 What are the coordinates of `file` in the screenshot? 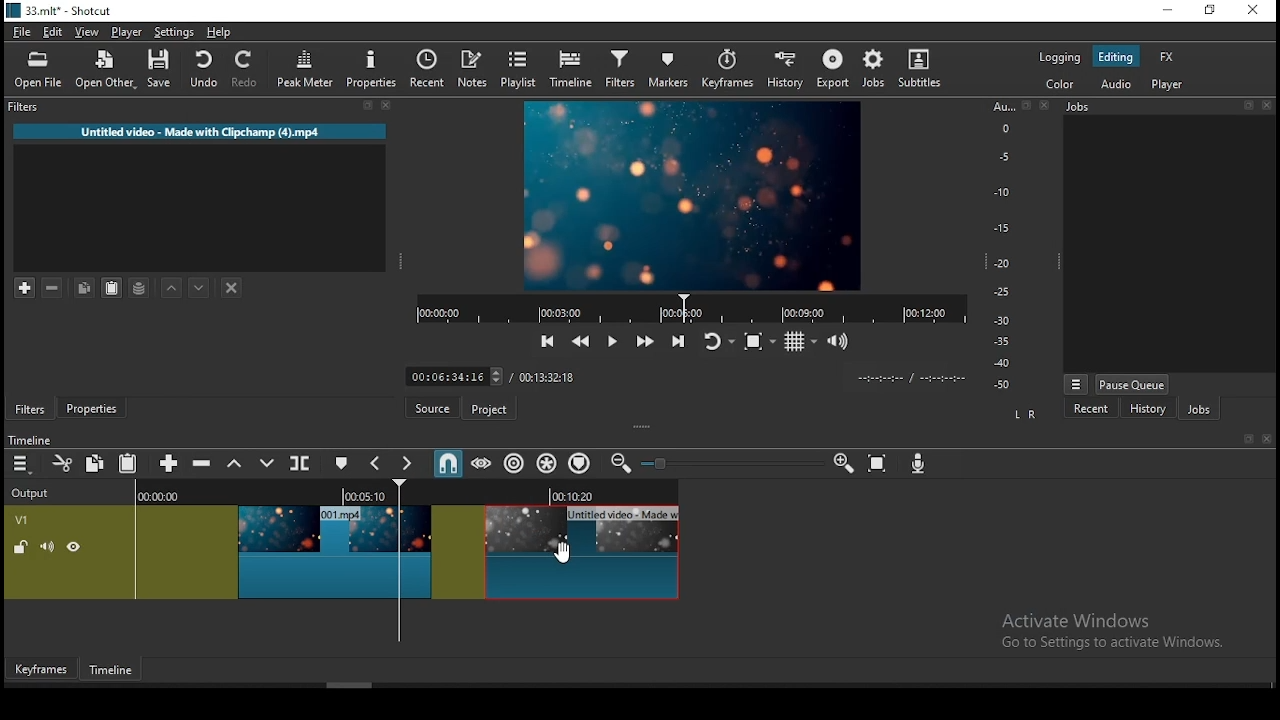 It's located at (23, 33).